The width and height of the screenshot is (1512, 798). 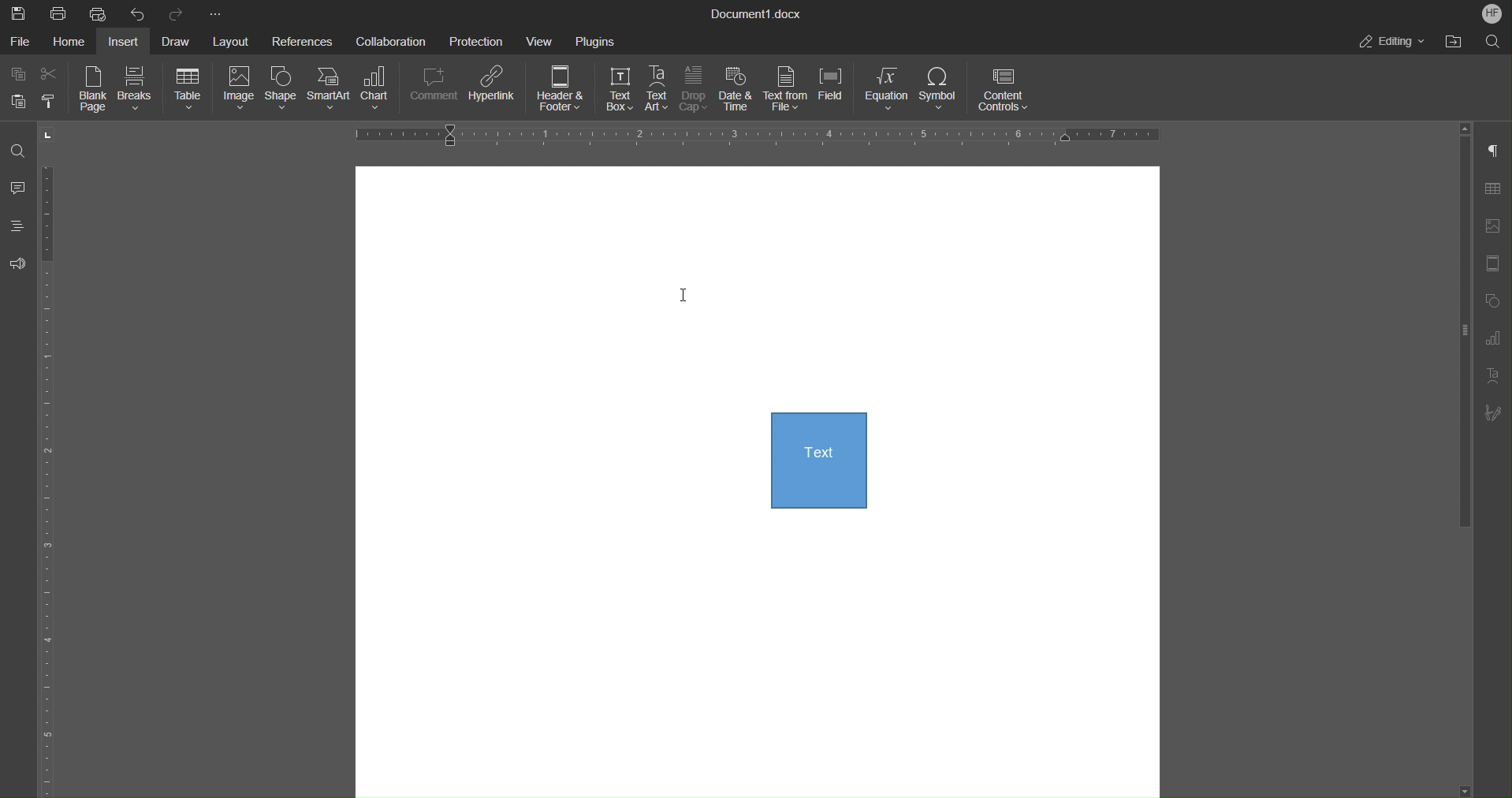 I want to click on Vertical scroll bar, so click(x=1462, y=337).